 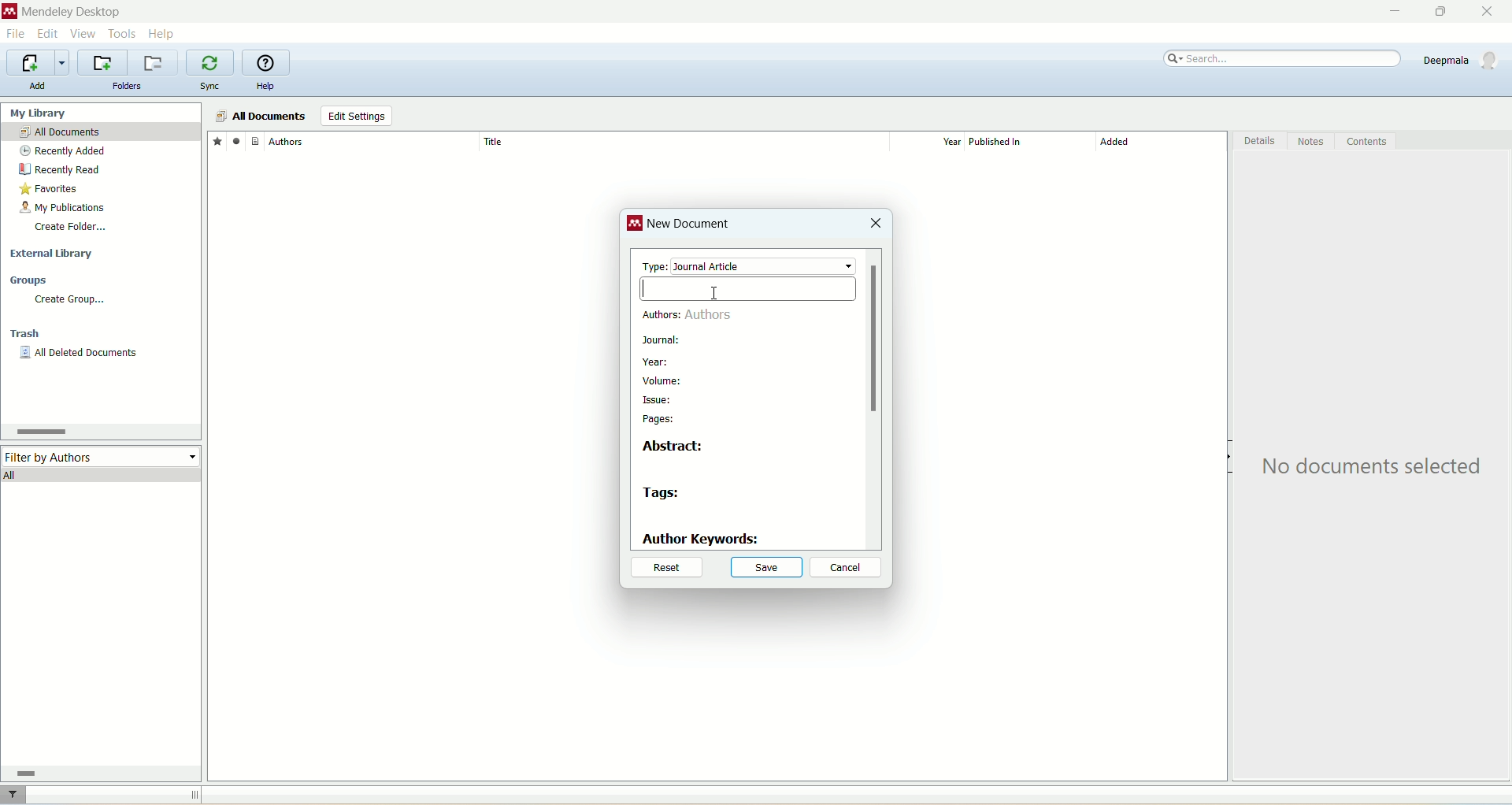 I want to click on edit, so click(x=46, y=34).